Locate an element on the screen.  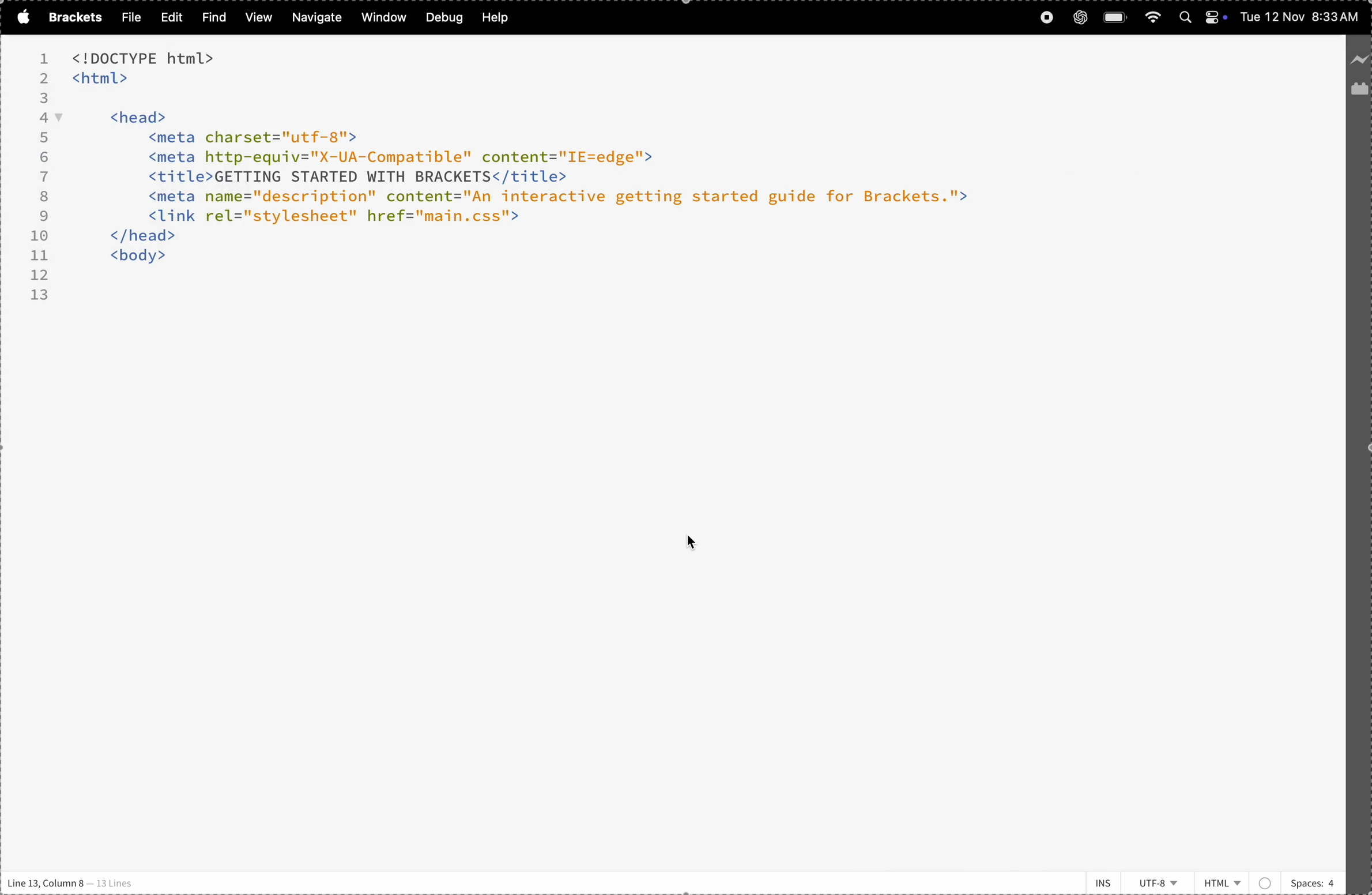
line and coloumn is located at coordinates (72, 883).